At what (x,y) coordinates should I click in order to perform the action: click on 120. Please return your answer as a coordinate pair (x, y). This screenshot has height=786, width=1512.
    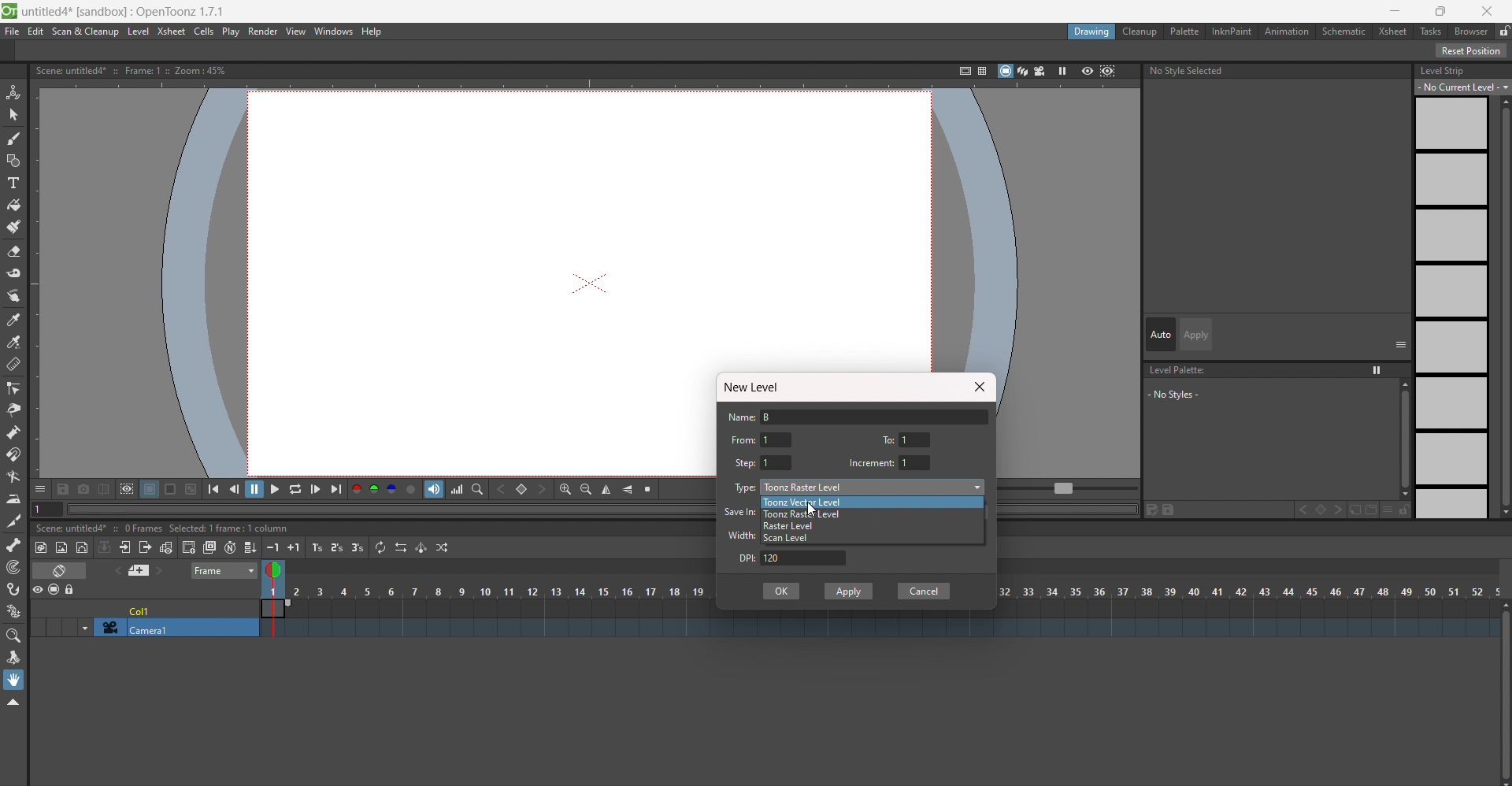
    Looking at the image, I should click on (806, 558).